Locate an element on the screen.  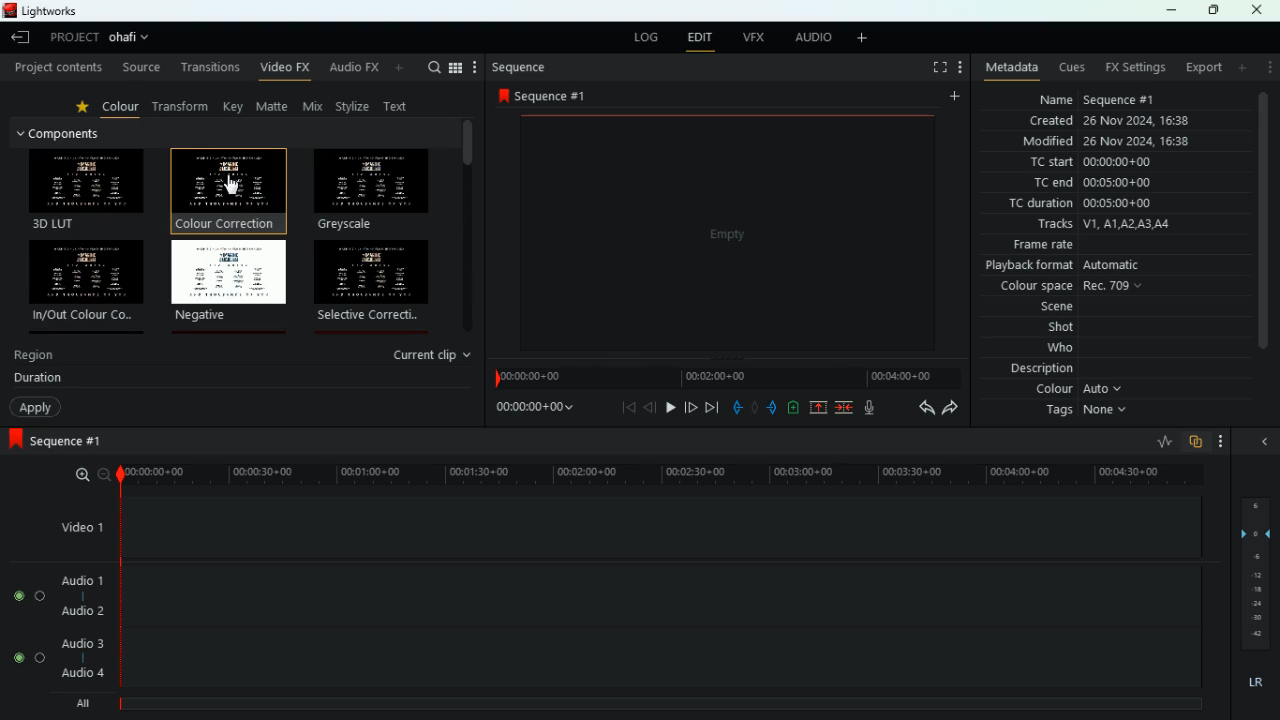
more is located at coordinates (1268, 70).